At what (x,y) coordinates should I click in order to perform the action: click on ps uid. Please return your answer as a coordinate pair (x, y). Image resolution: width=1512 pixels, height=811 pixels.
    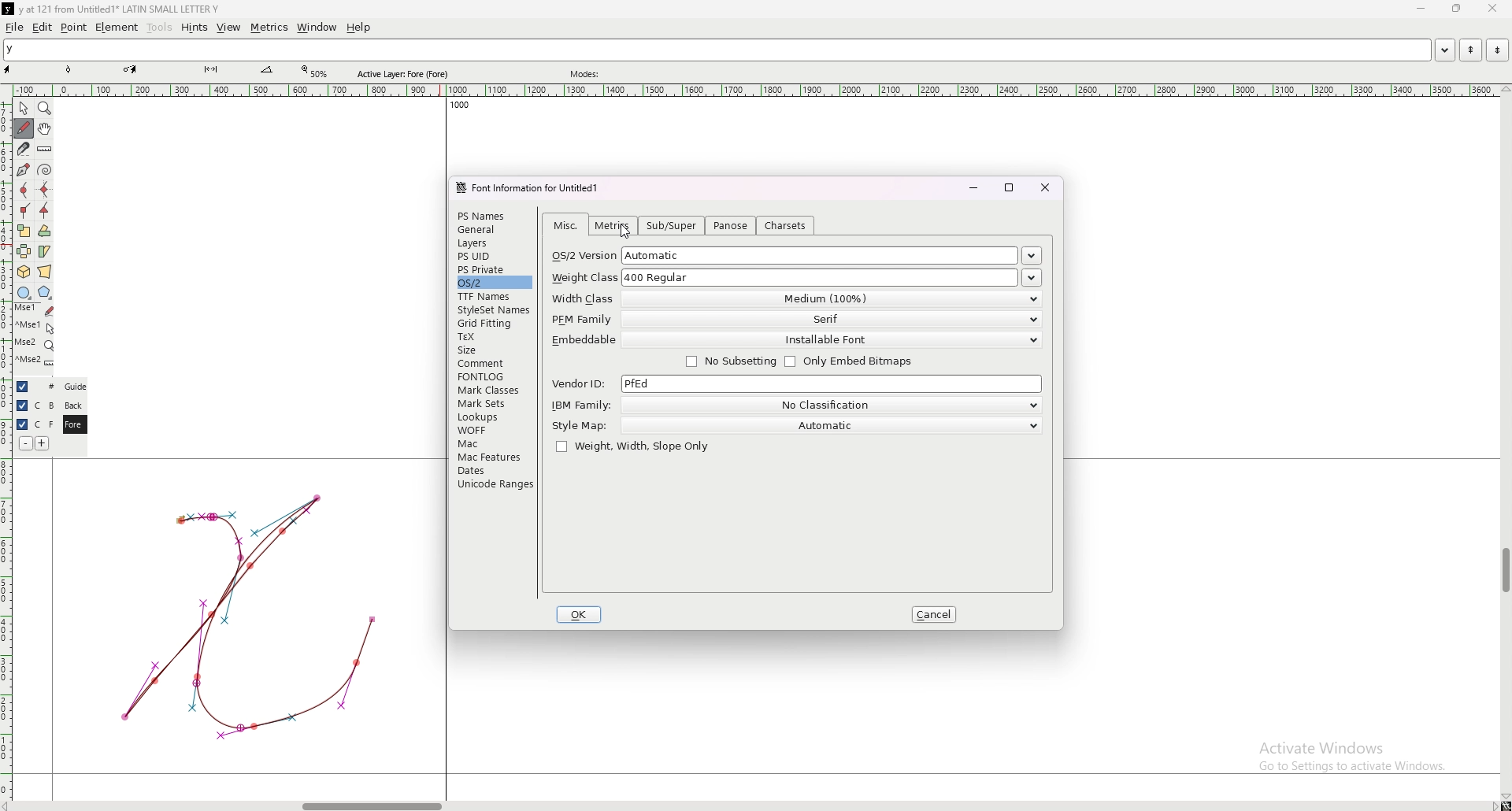
    Looking at the image, I should click on (494, 257).